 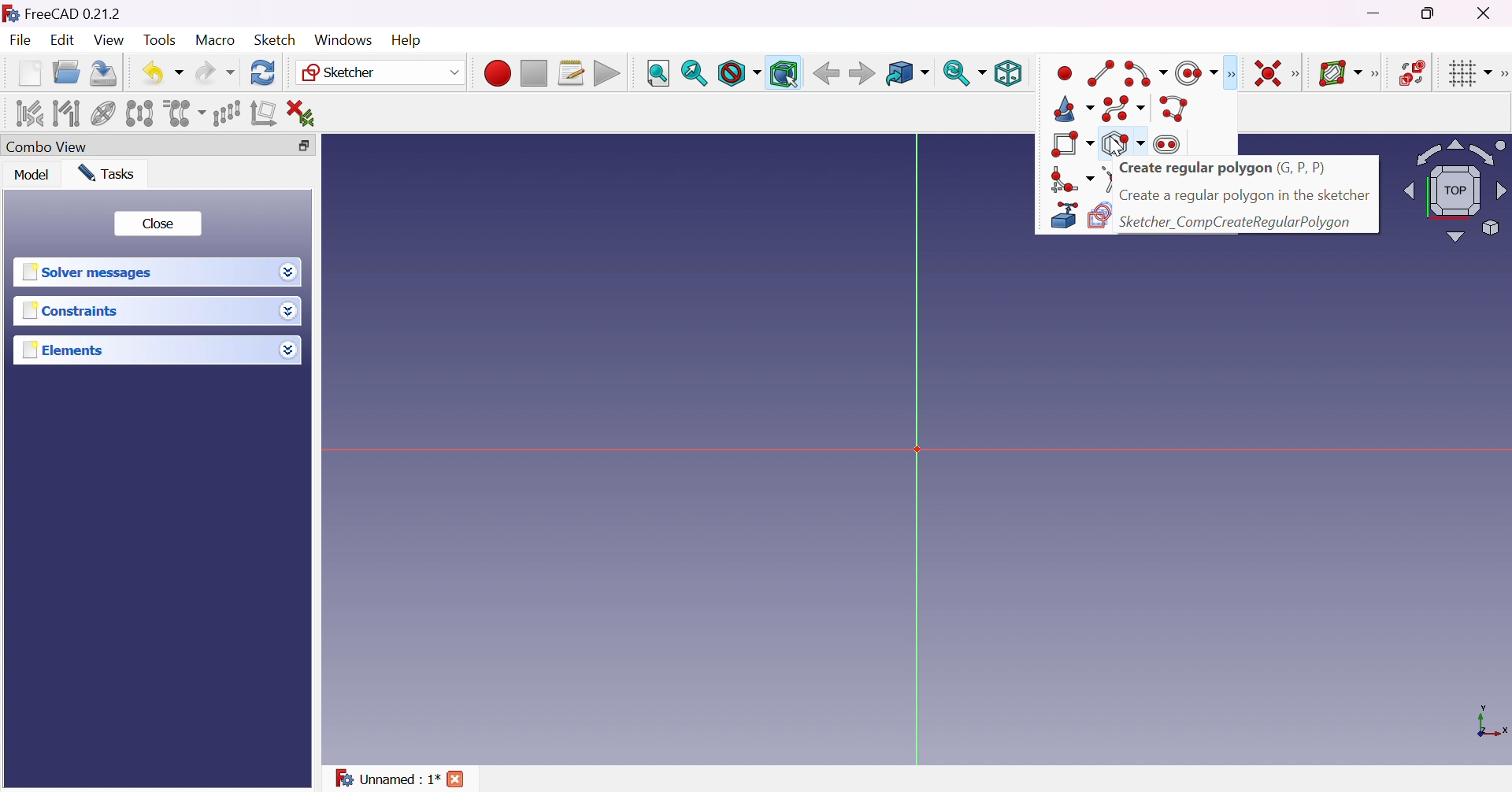 I want to click on Sketcher-CompCreateRegularPolygon, so click(x=1235, y=222).